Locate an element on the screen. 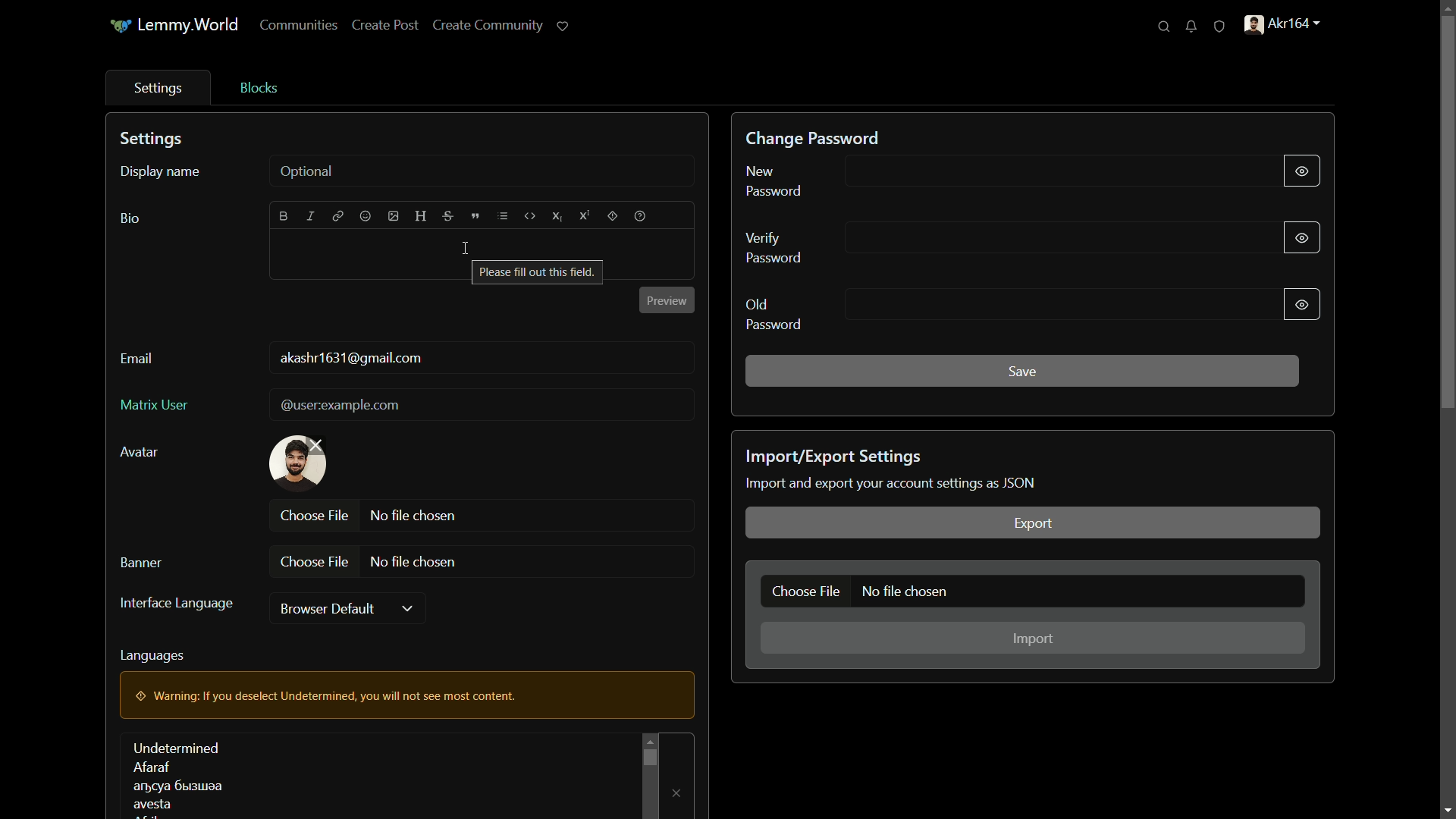 Image resolution: width=1456 pixels, height=819 pixels. image is located at coordinates (393, 216).